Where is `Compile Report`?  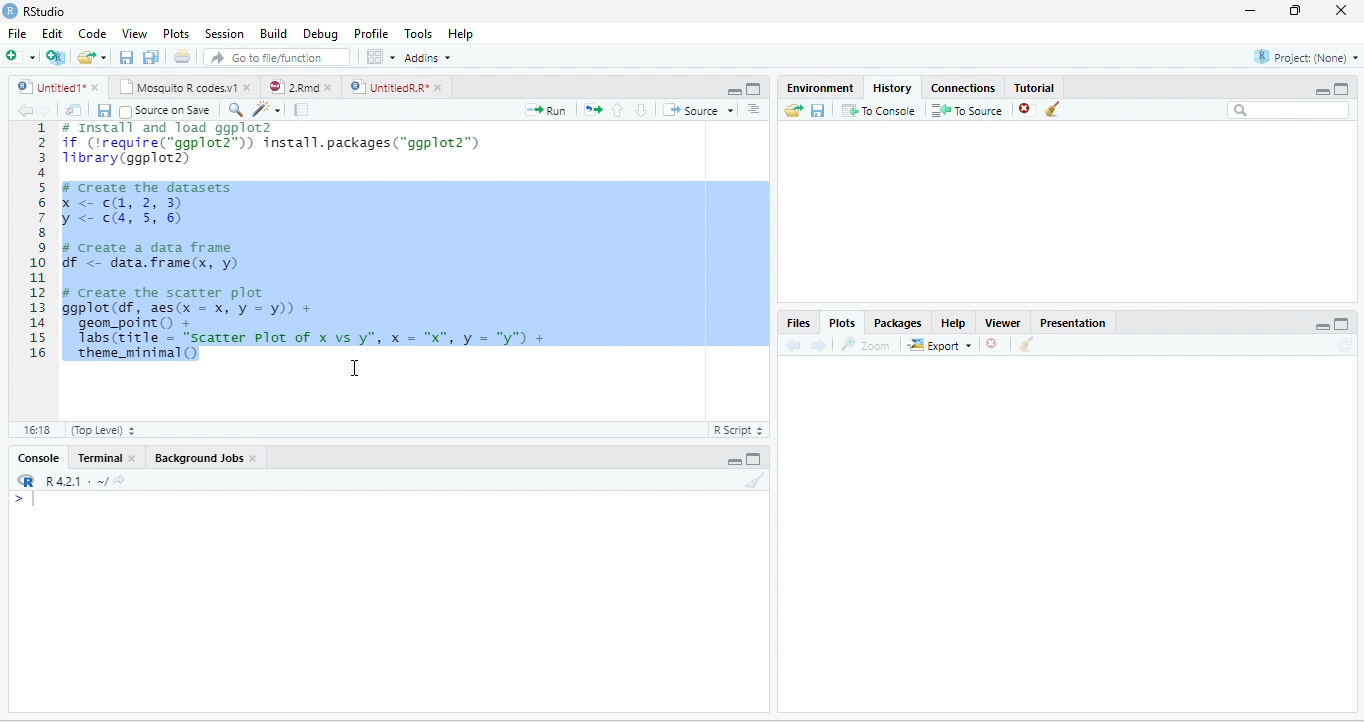 Compile Report is located at coordinates (301, 110).